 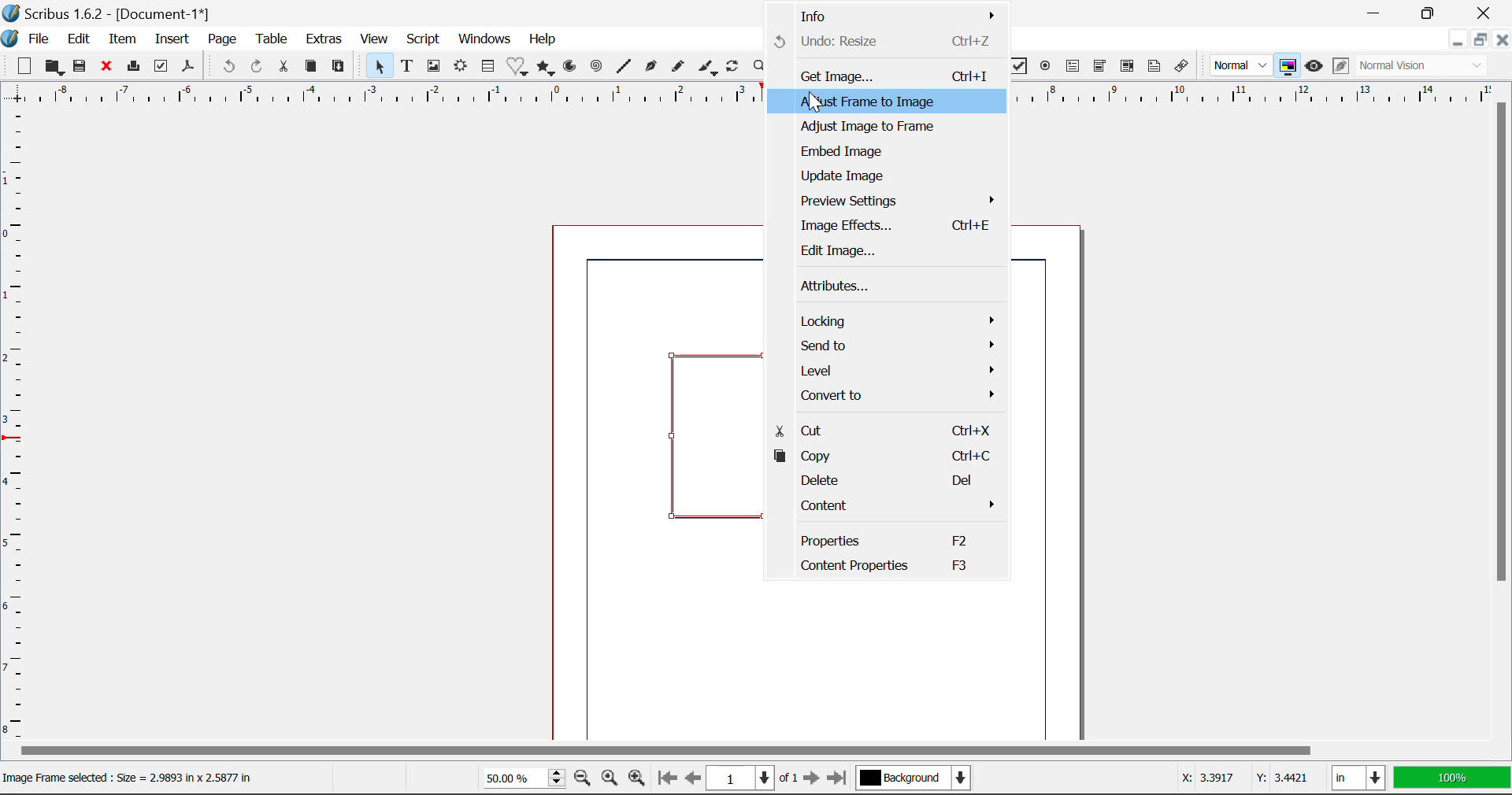 I want to click on Edit, so click(x=80, y=39).